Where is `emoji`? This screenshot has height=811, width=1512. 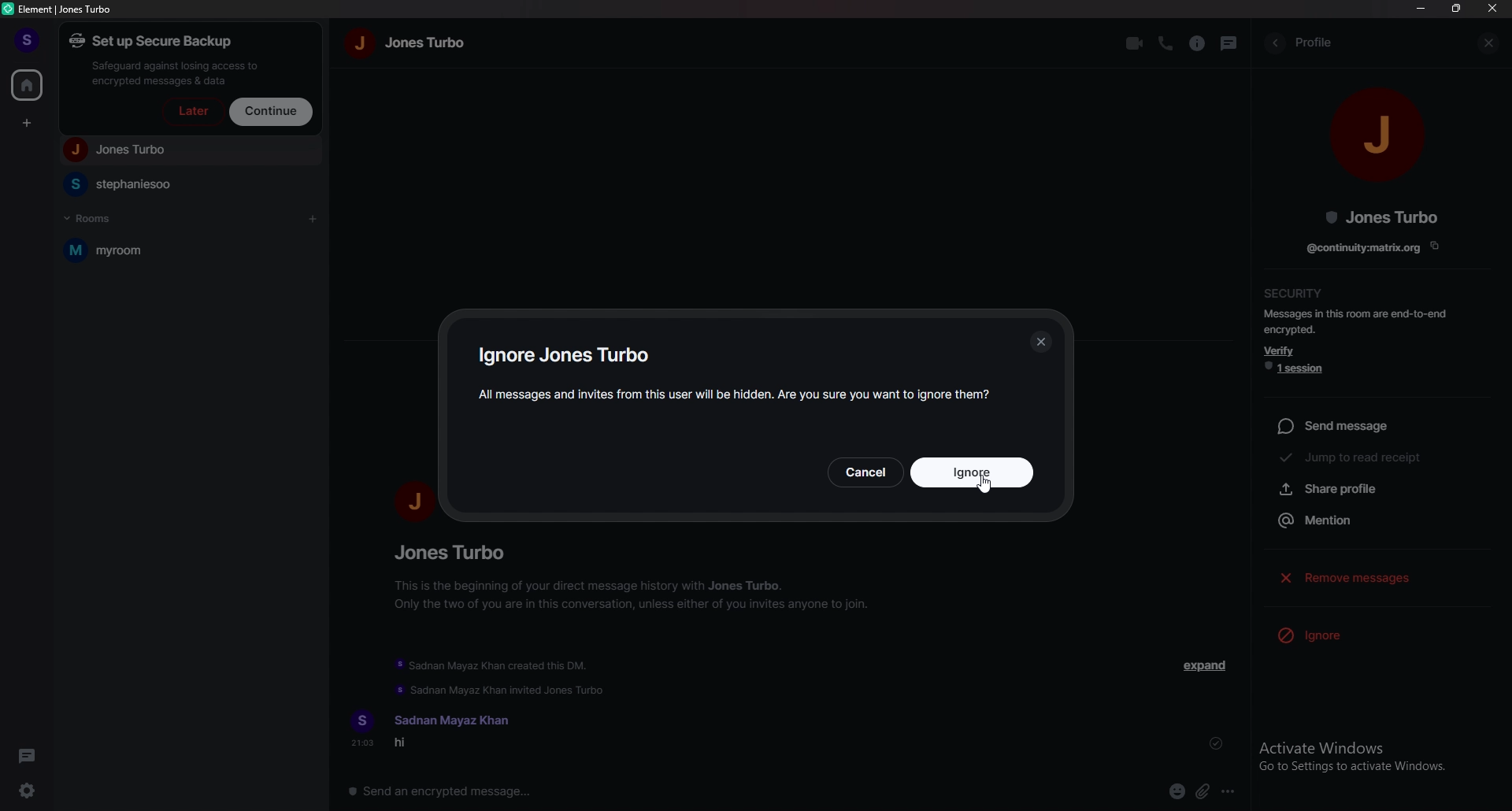
emoji is located at coordinates (1178, 792).